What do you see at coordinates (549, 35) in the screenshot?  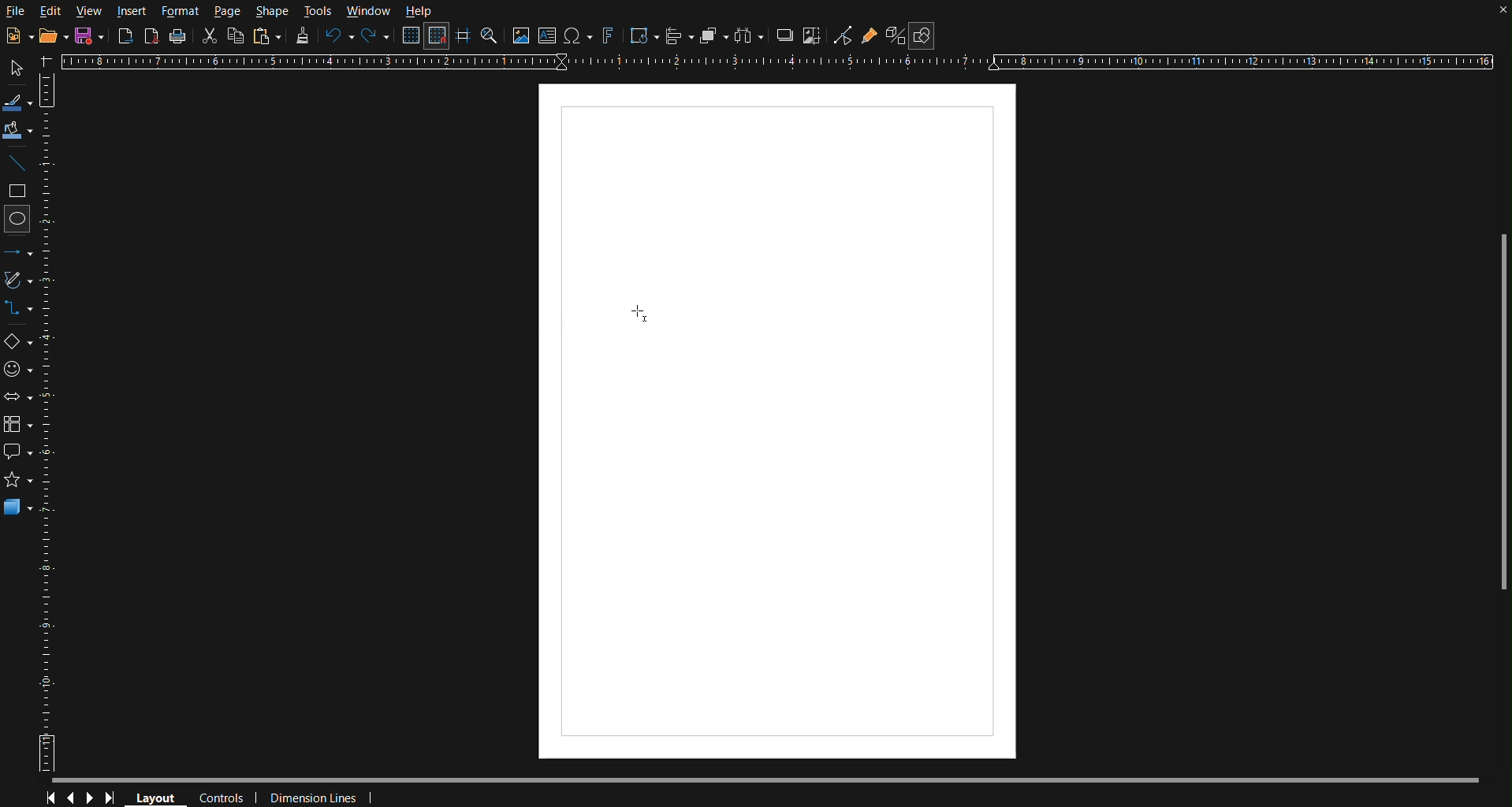 I see `Textbox` at bounding box center [549, 35].